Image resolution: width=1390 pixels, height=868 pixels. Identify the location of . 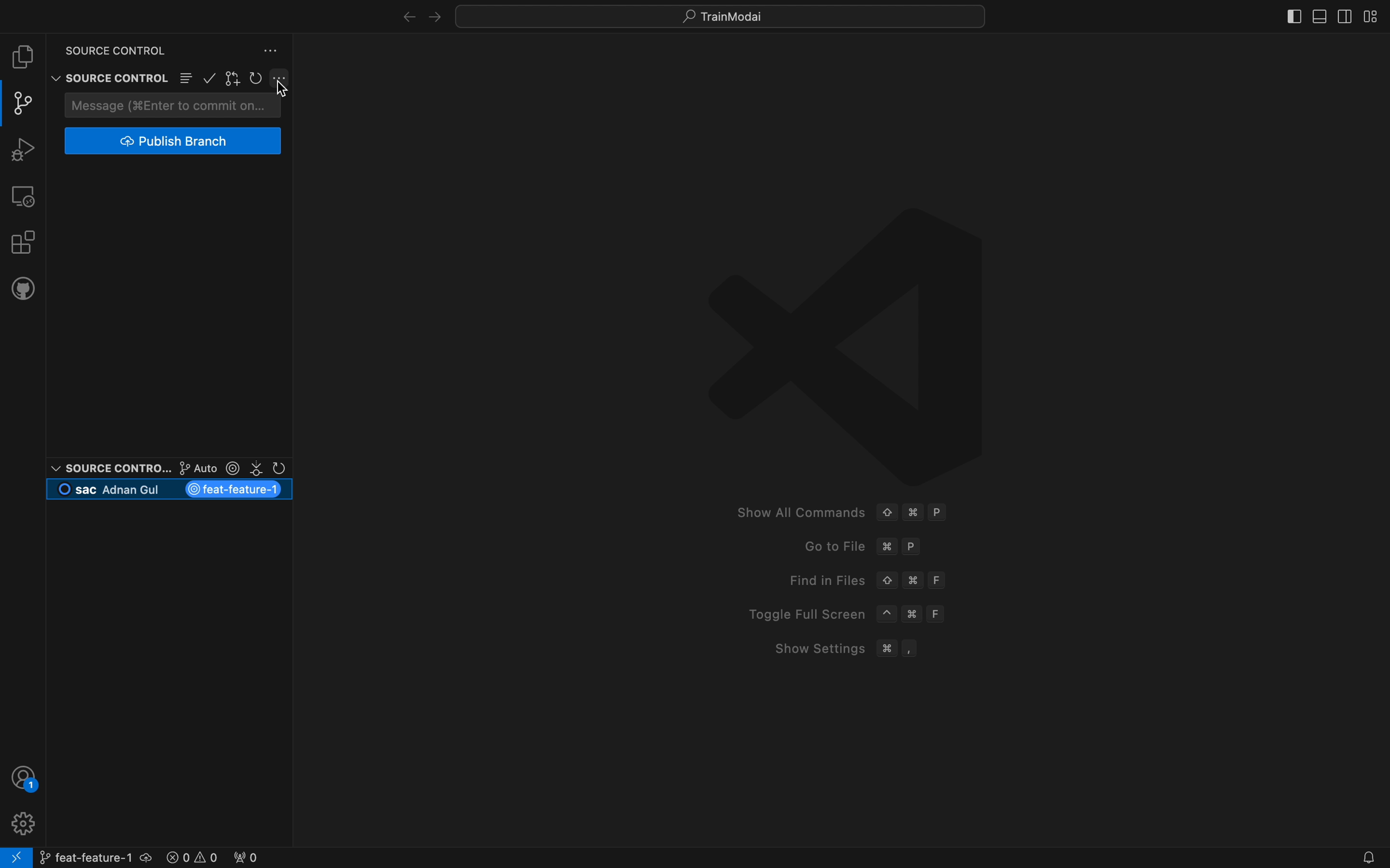
(185, 80).